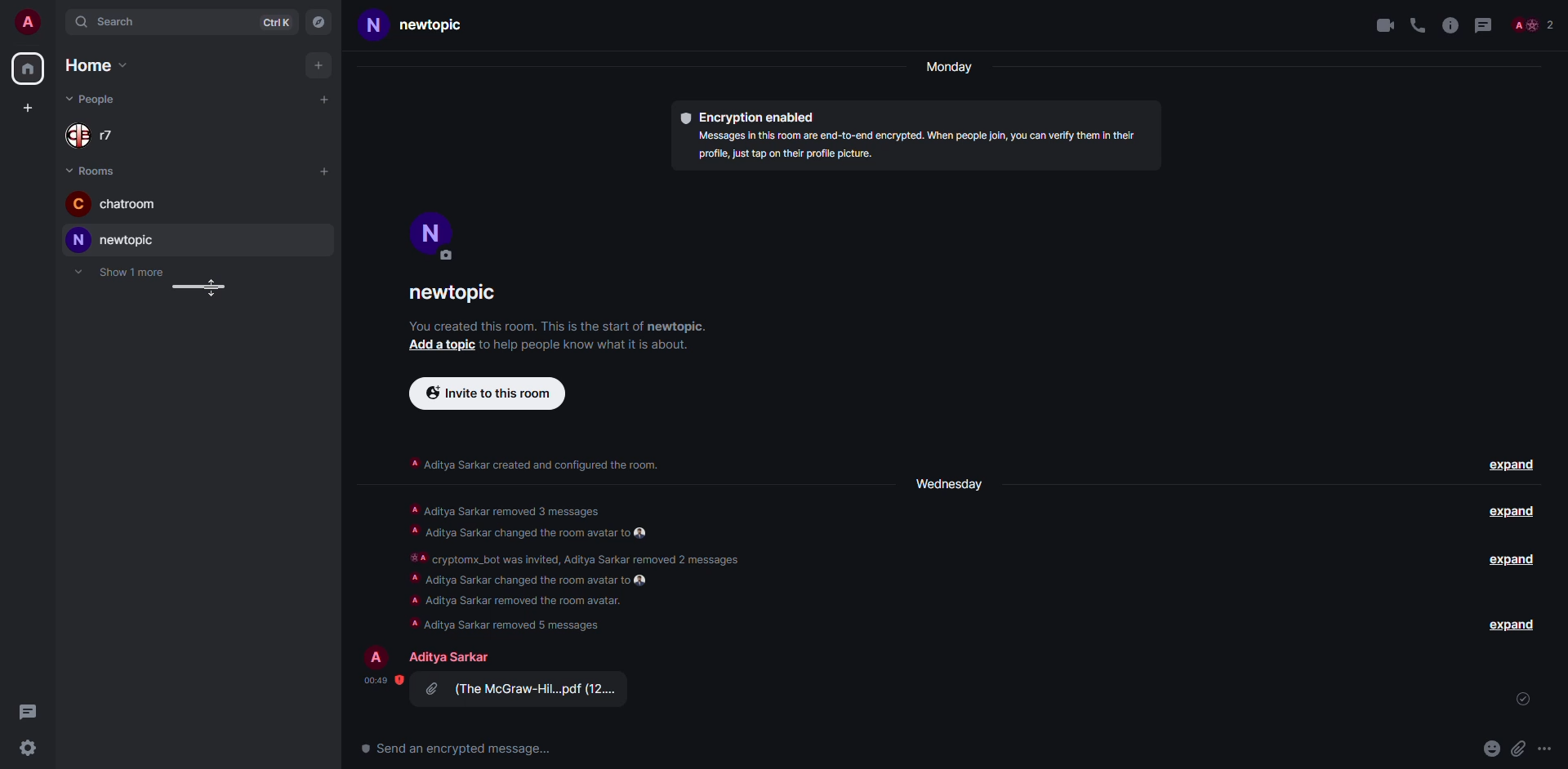  I want to click on add, so click(443, 347).